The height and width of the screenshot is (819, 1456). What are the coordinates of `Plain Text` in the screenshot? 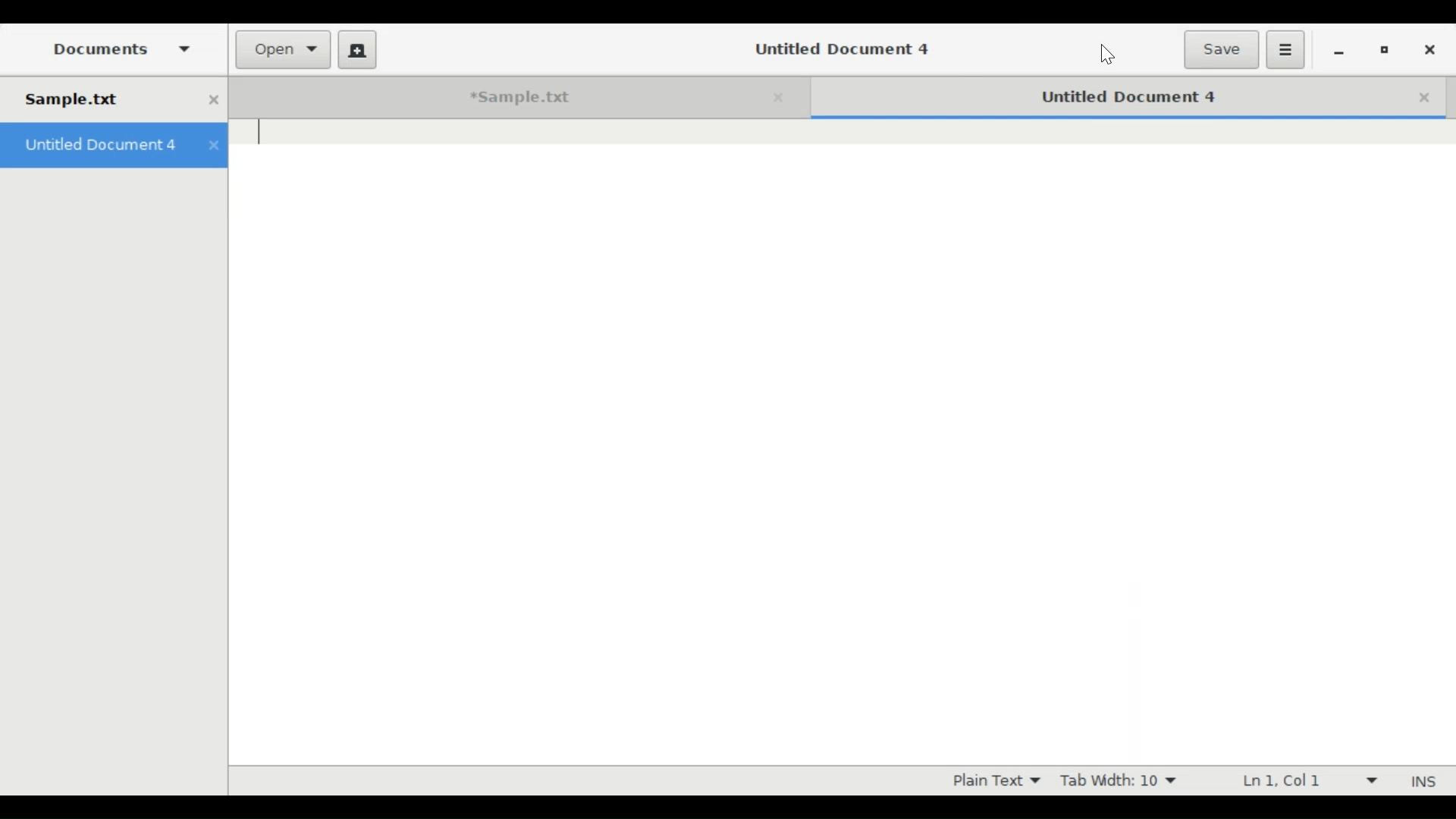 It's located at (994, 778).